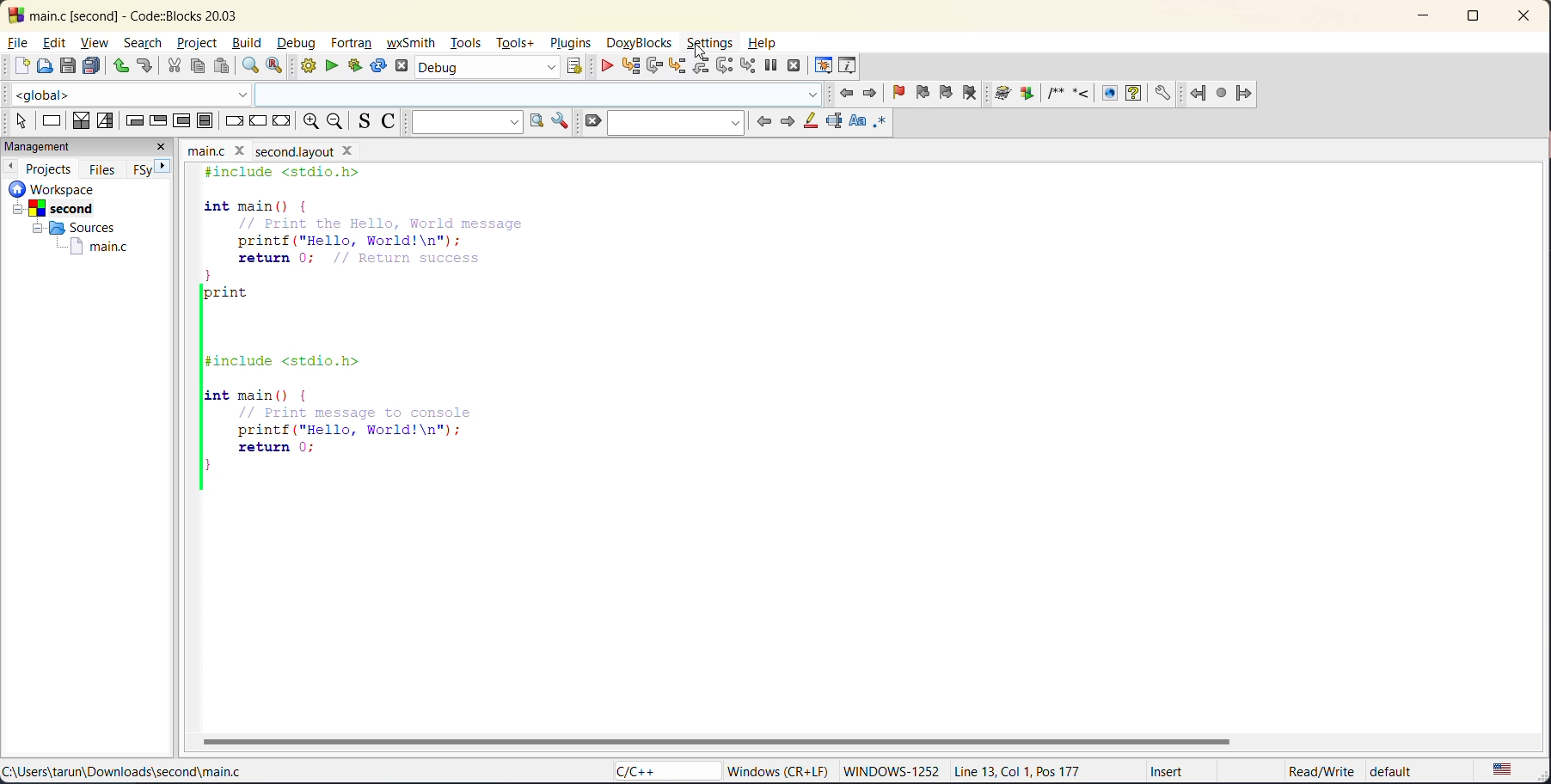  What do you see at coordinates (1505, 769) in the screenshot?
I see `text language` at bounding box center [1505, 769].